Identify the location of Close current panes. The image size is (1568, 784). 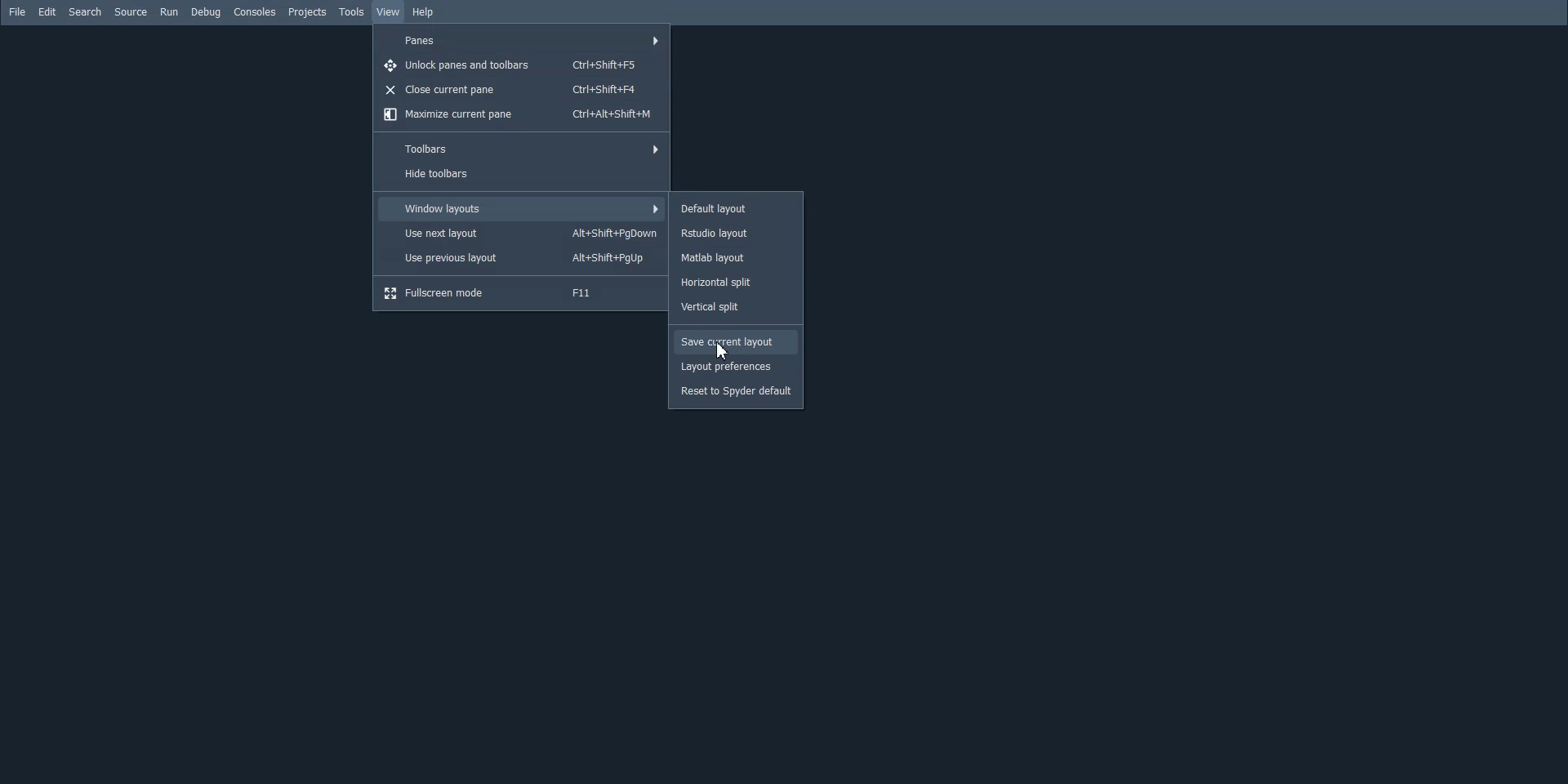
(519, 90).